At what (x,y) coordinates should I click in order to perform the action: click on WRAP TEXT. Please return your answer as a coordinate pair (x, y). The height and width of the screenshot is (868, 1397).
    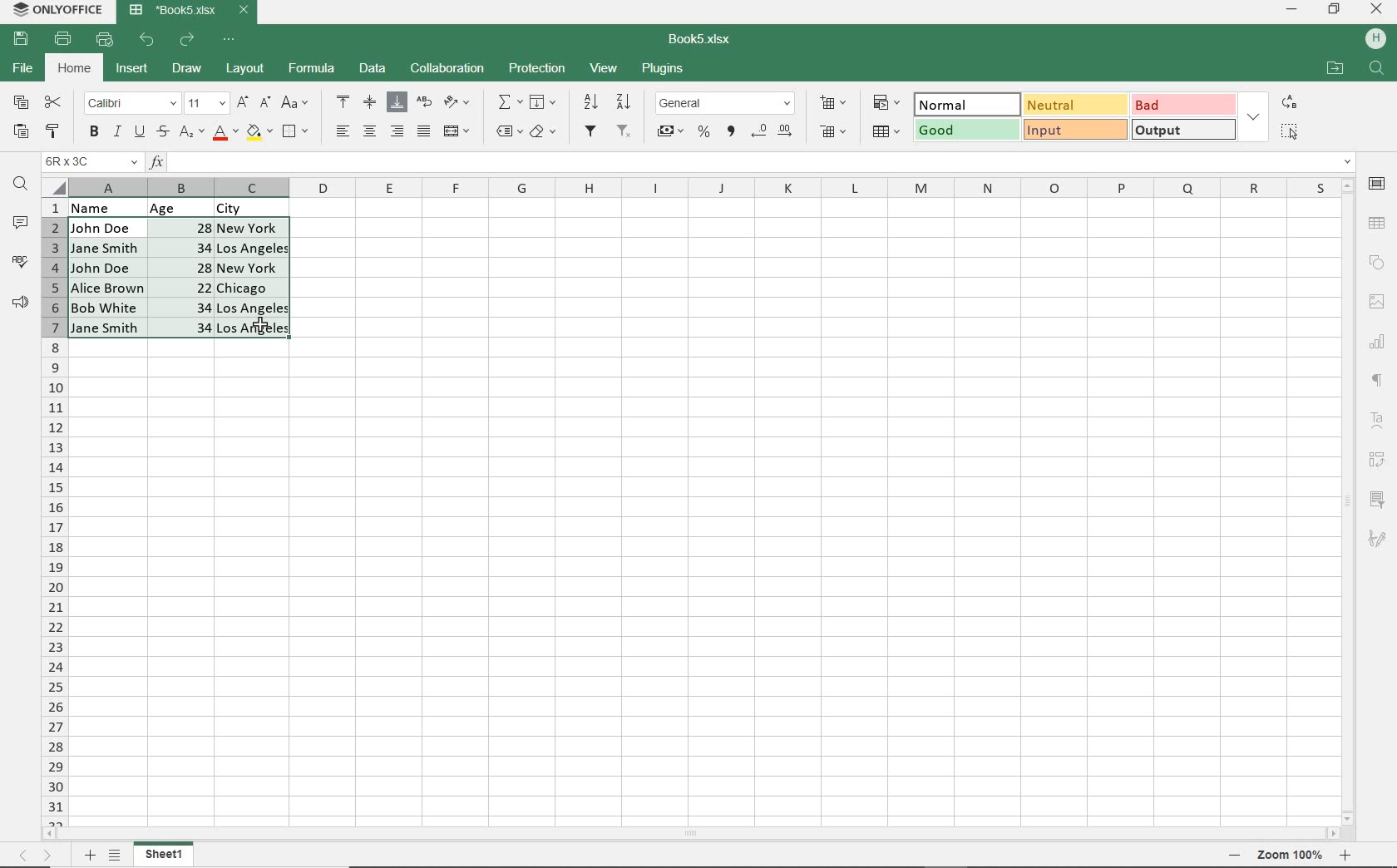
    Looking at the image, I should click on (425, 104).